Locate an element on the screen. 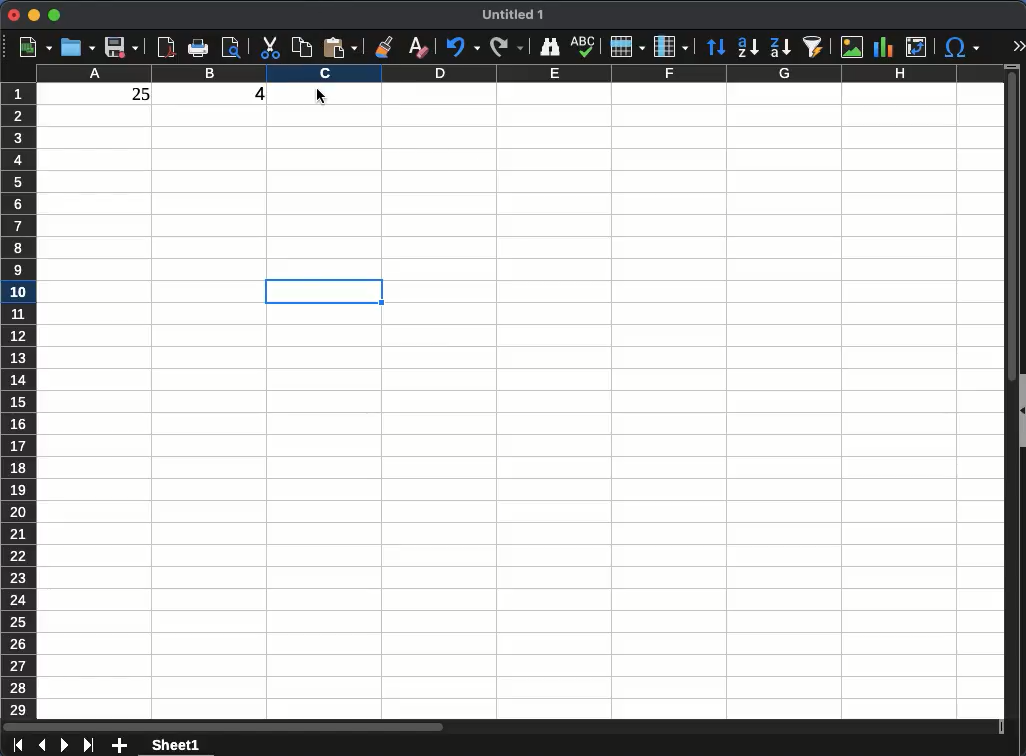  scroll is located at coordinates (1004, 401).